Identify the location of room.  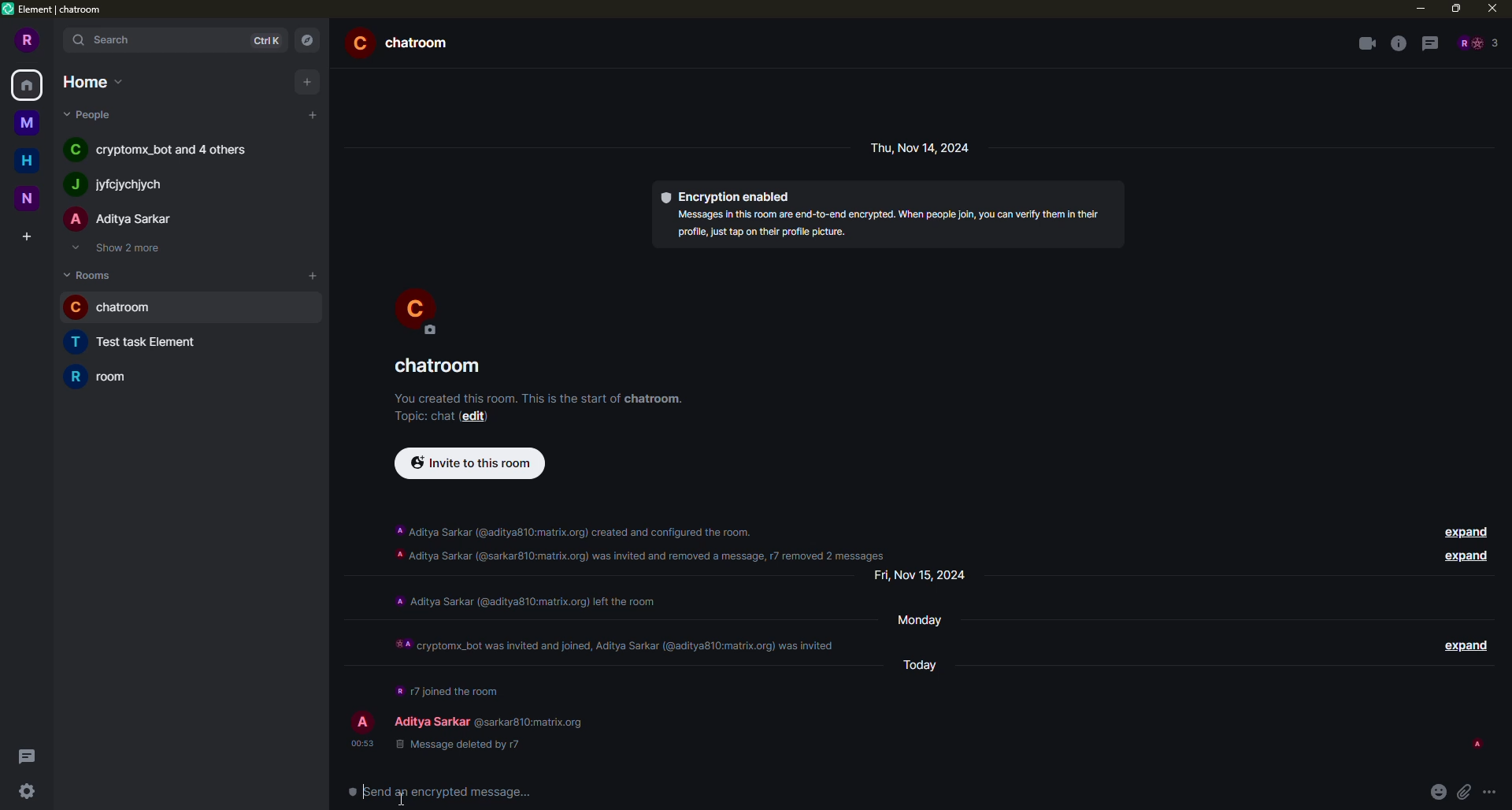
(118, 308).